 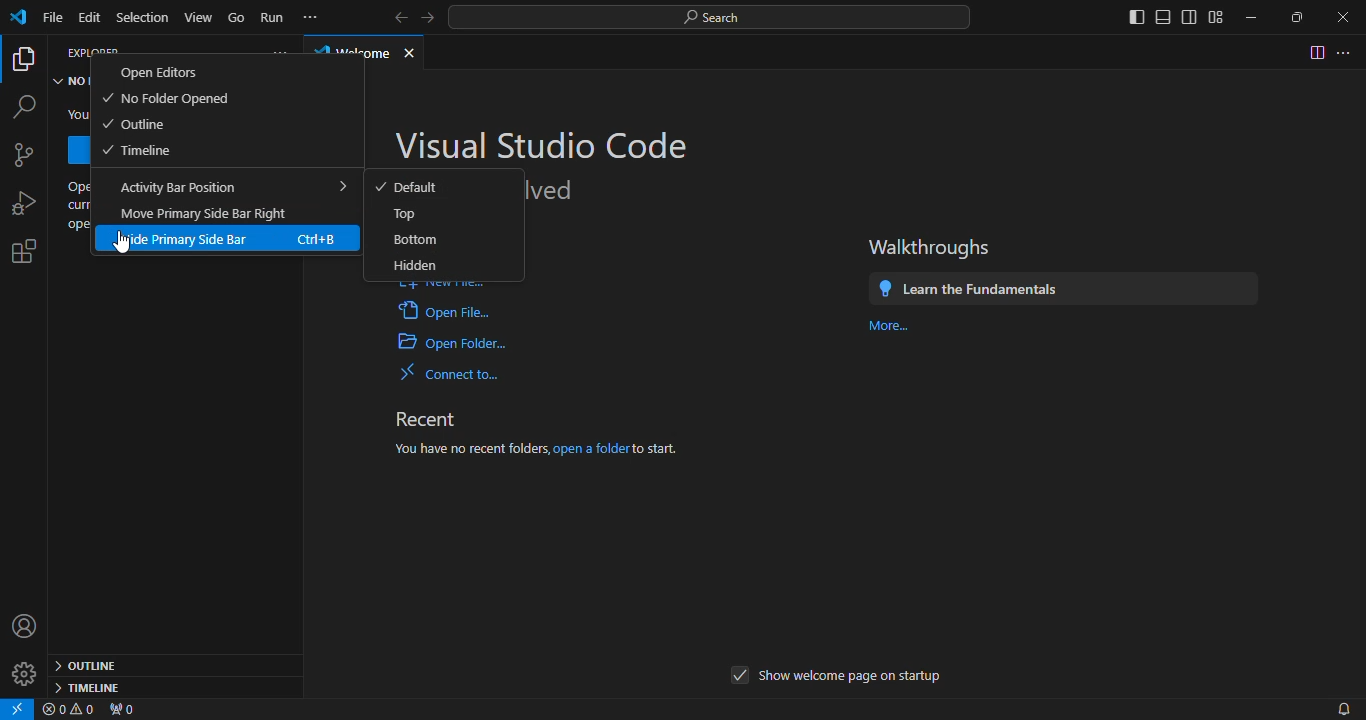 What do you see at coordinates (228, 186) in the screenshot?
I see `Activity Bar Position` at bounding box center [228, 186].